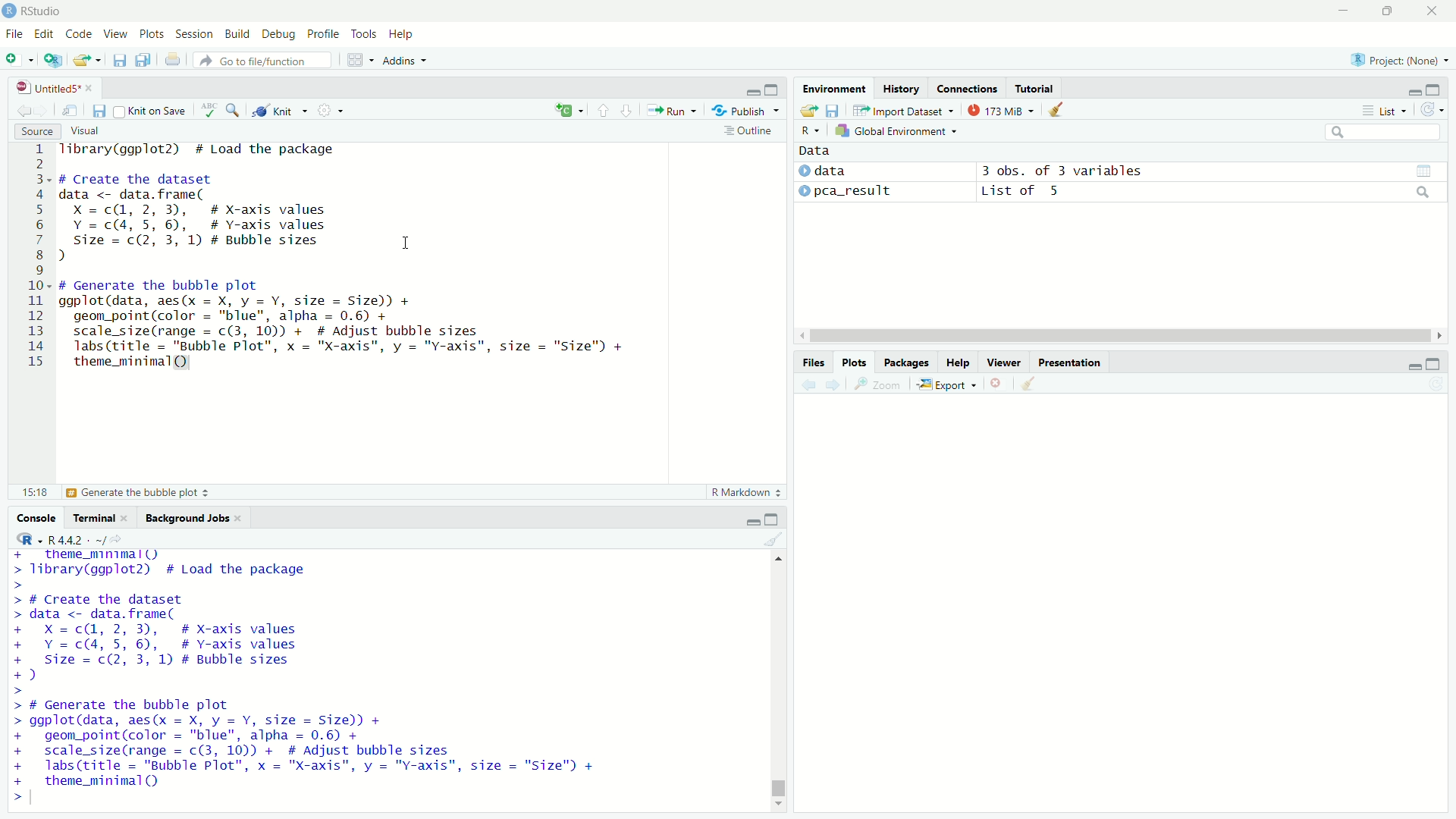 The image size is (1456, 819). I want to click on data2 : list of 5, so click(1210, 193).